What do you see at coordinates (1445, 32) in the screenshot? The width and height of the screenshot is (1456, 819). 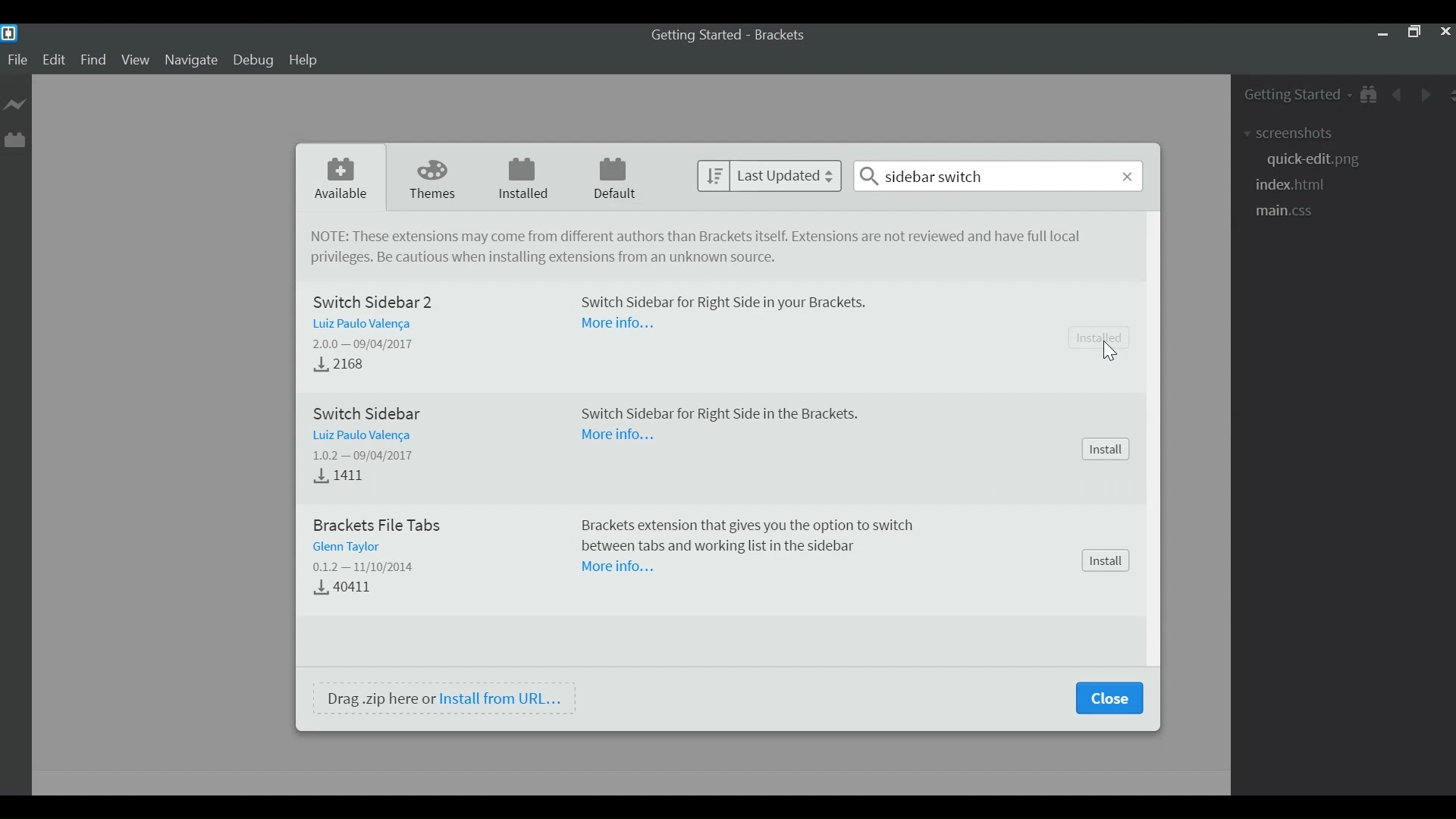 I see `Close` at bounding box center [1445, 32].